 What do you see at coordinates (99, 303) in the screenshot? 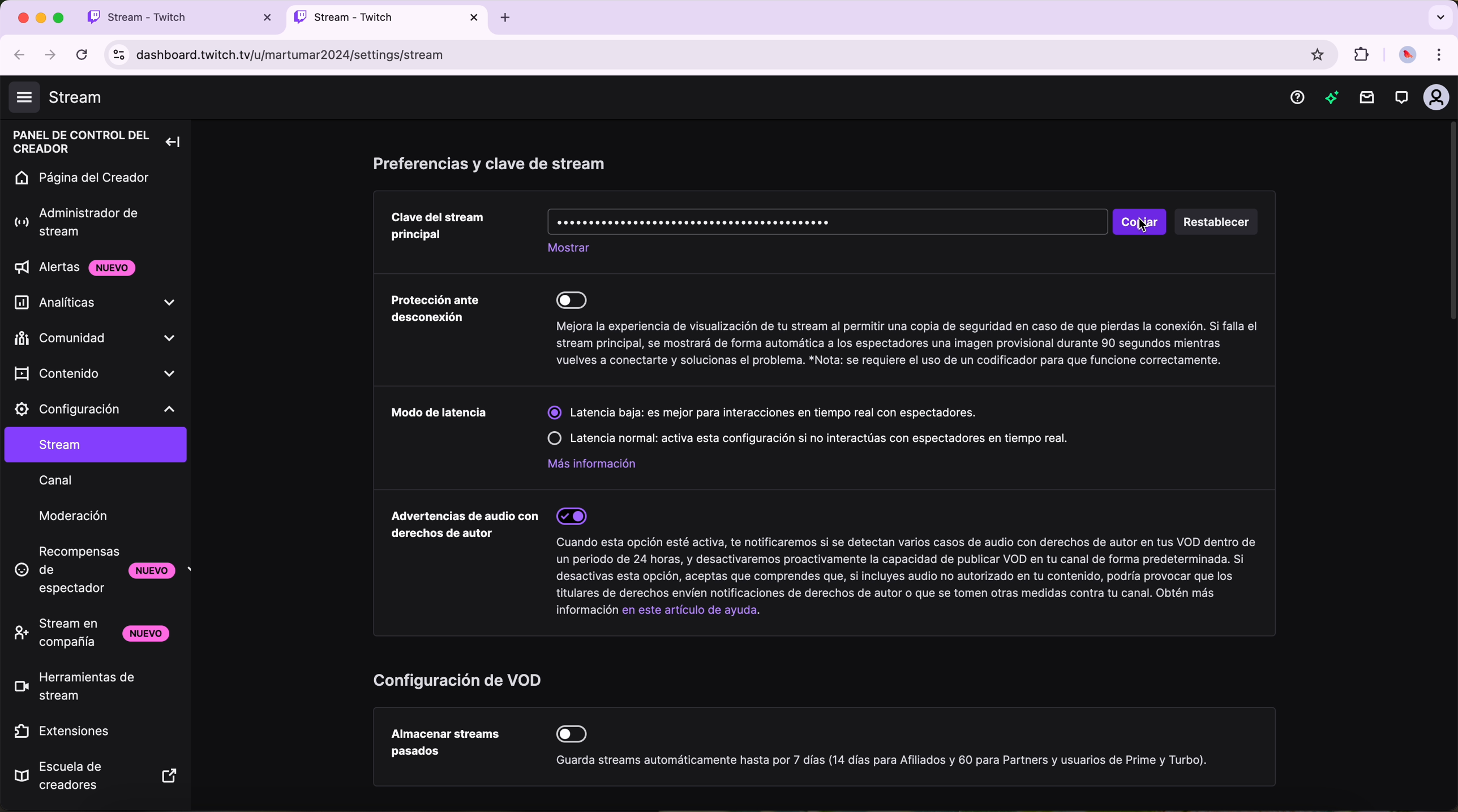
I see `analytics` at bounding box center [99, 303].